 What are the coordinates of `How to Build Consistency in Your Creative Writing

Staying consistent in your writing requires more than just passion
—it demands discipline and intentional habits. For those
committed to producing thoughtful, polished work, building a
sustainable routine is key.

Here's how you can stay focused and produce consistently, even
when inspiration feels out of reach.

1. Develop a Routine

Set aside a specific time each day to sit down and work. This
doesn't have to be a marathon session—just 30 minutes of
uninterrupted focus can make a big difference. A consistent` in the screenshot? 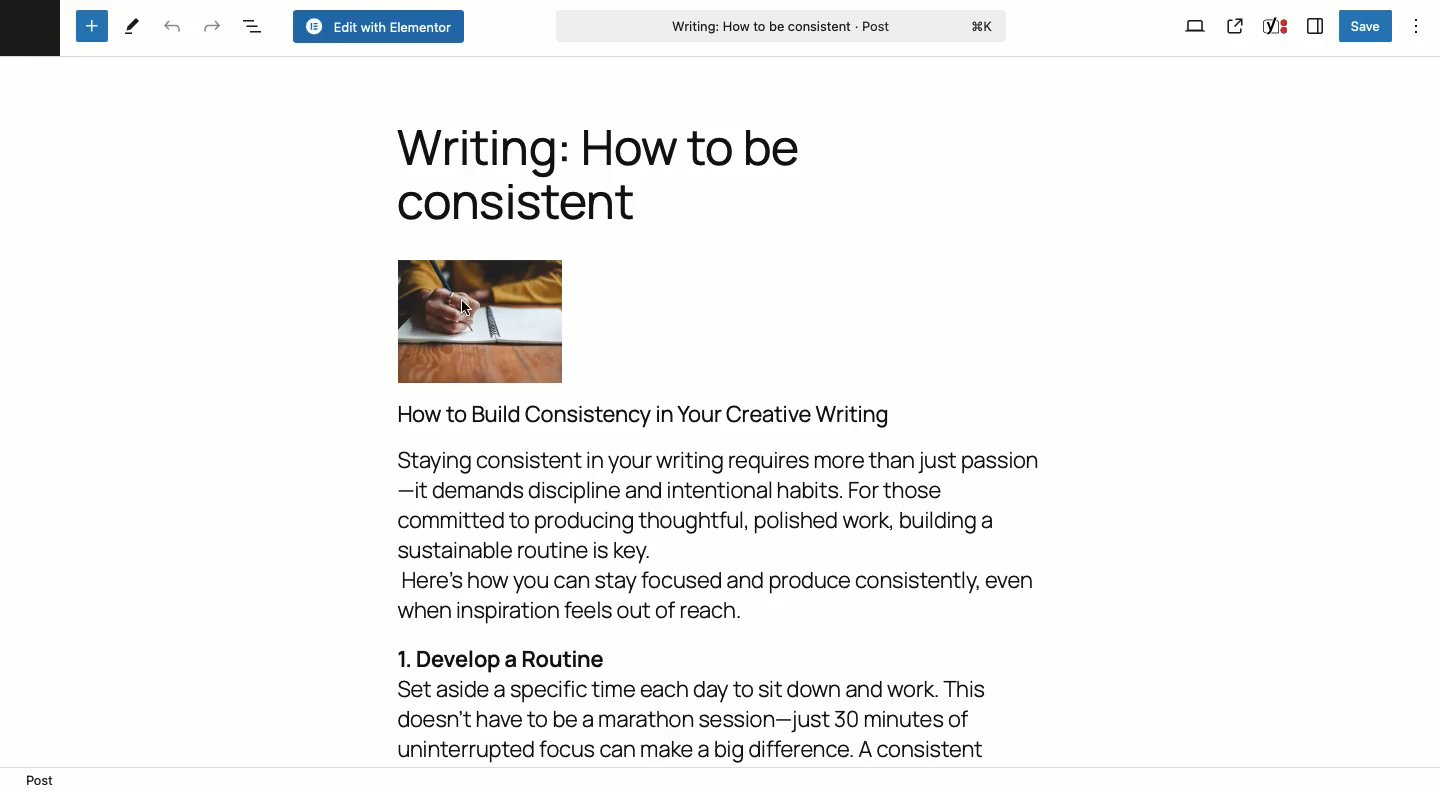 It's located at (718, 583).